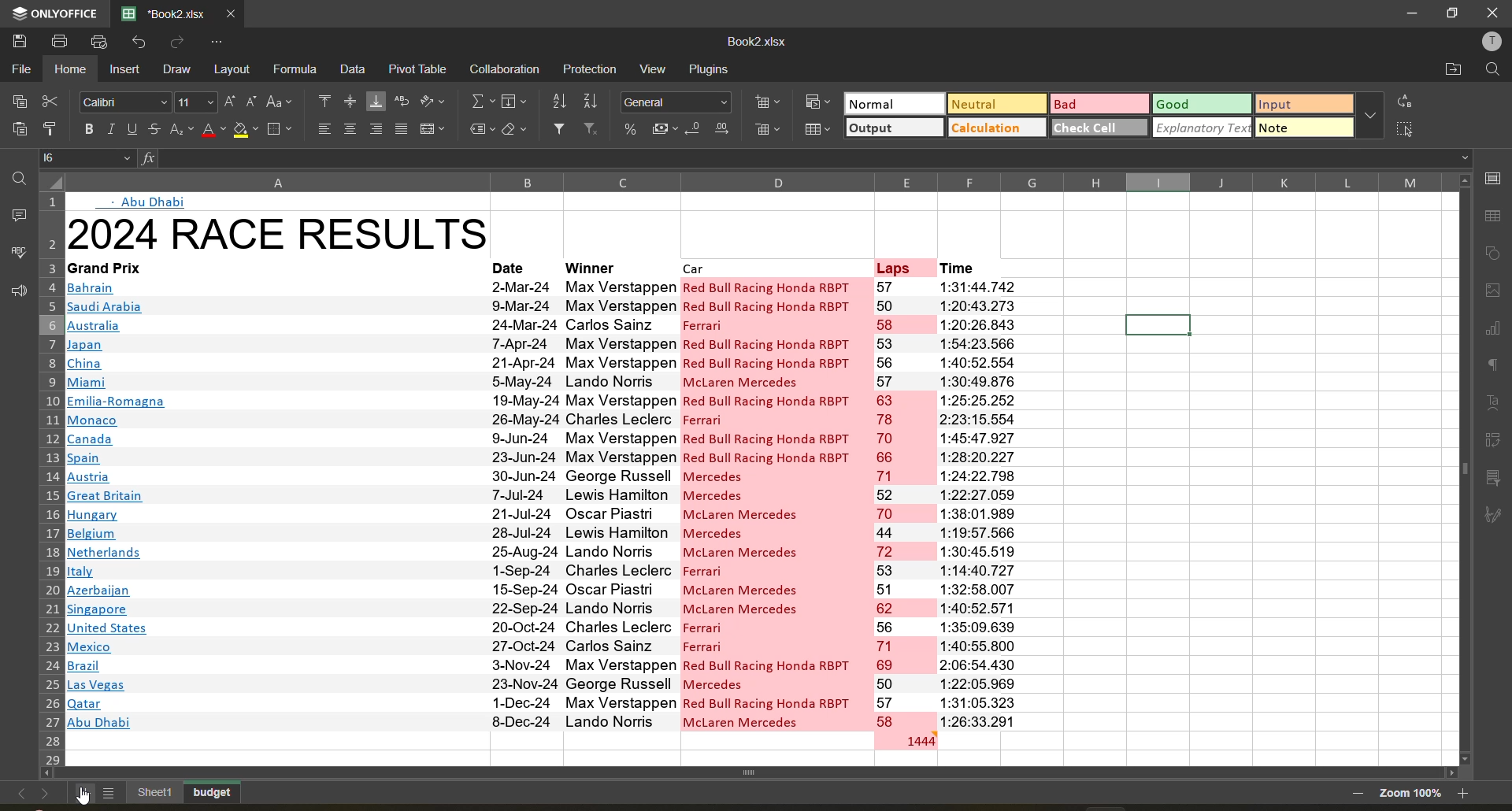  Describe the element at coordinates (355, 72) in the screenshot. I see `data` at that location.